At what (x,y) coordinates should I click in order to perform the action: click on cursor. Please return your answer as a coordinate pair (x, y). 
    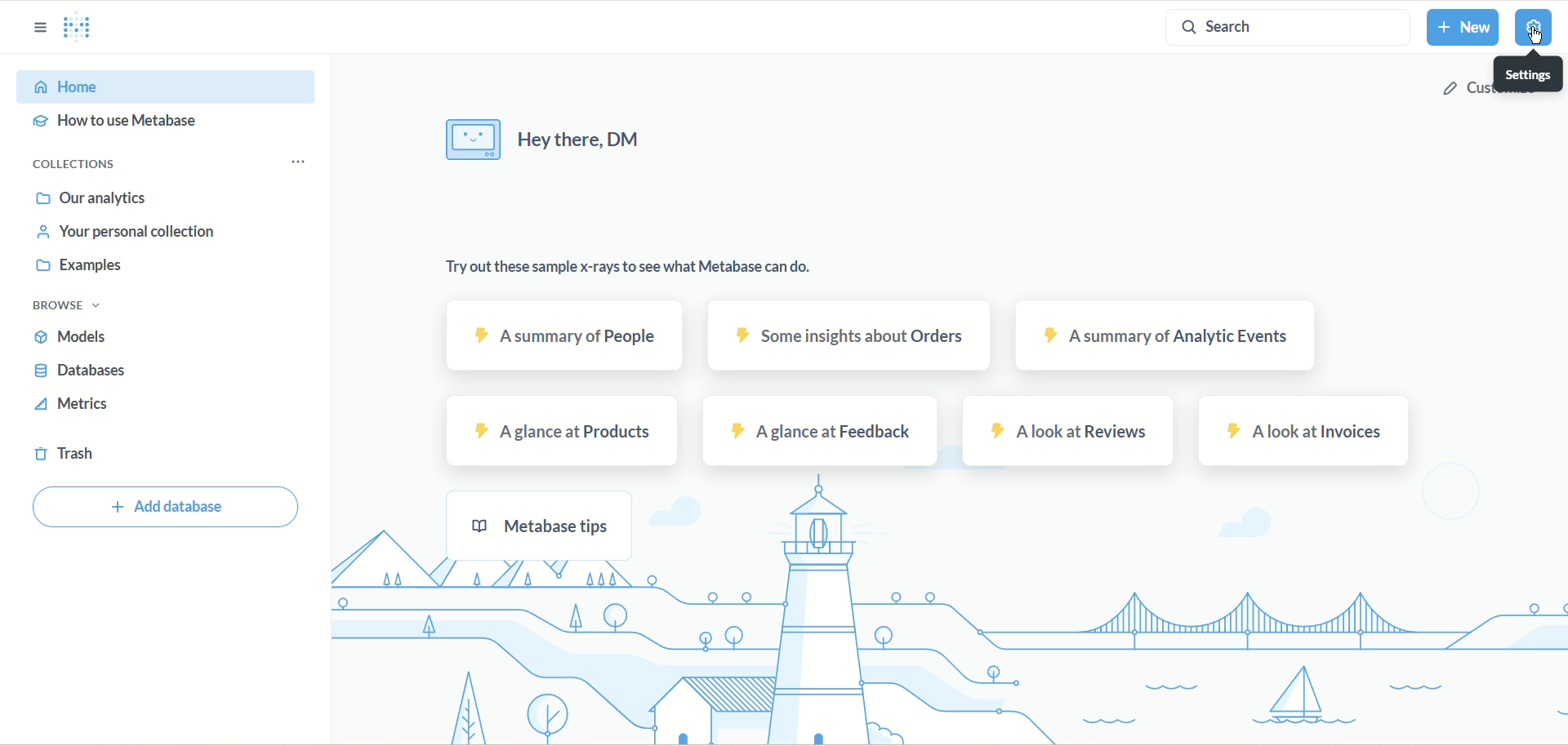
    Looking at the image, I should click on (1541, 36).